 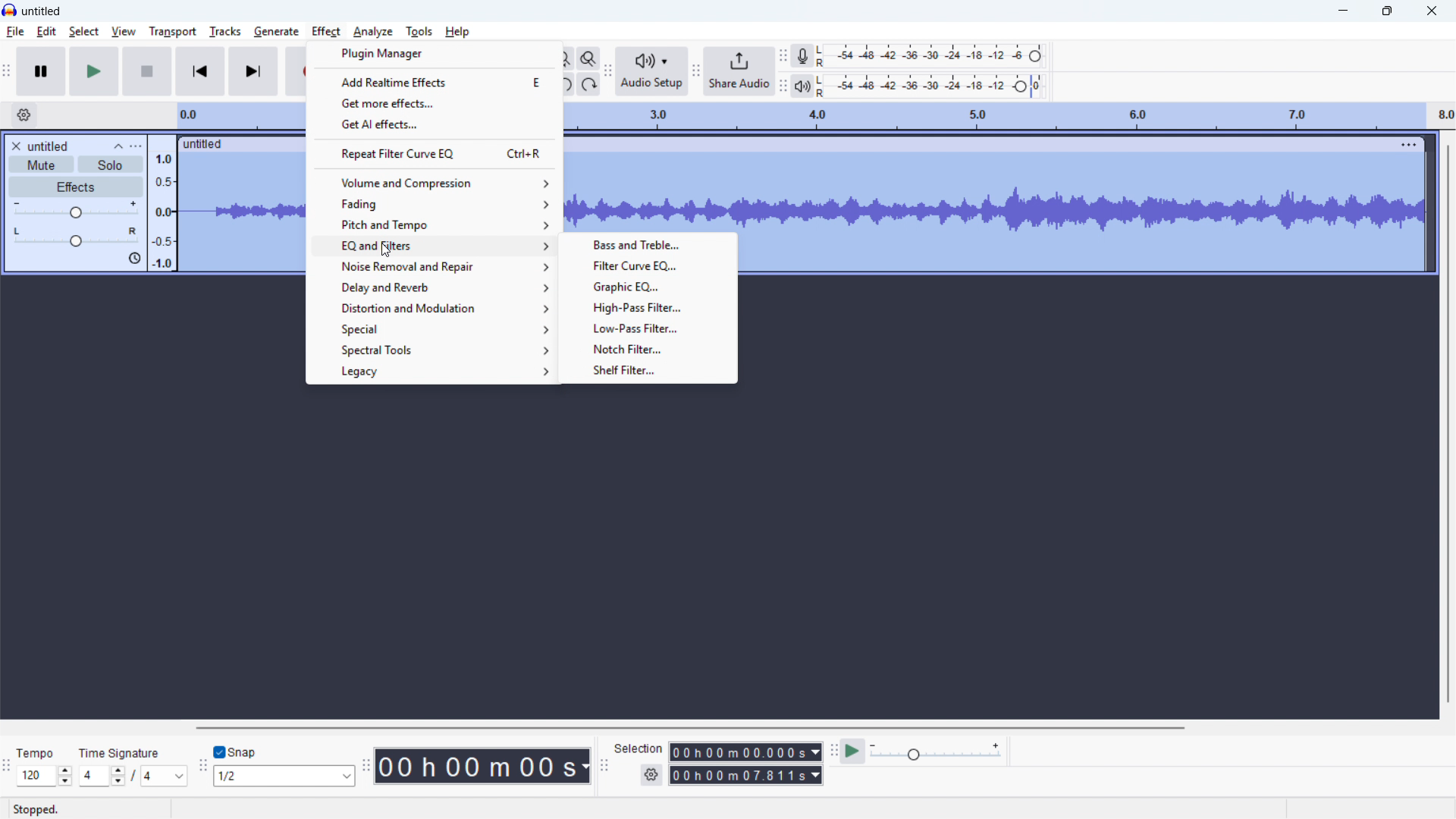 I want to click on timeline settings, so click(x=24, y=115).